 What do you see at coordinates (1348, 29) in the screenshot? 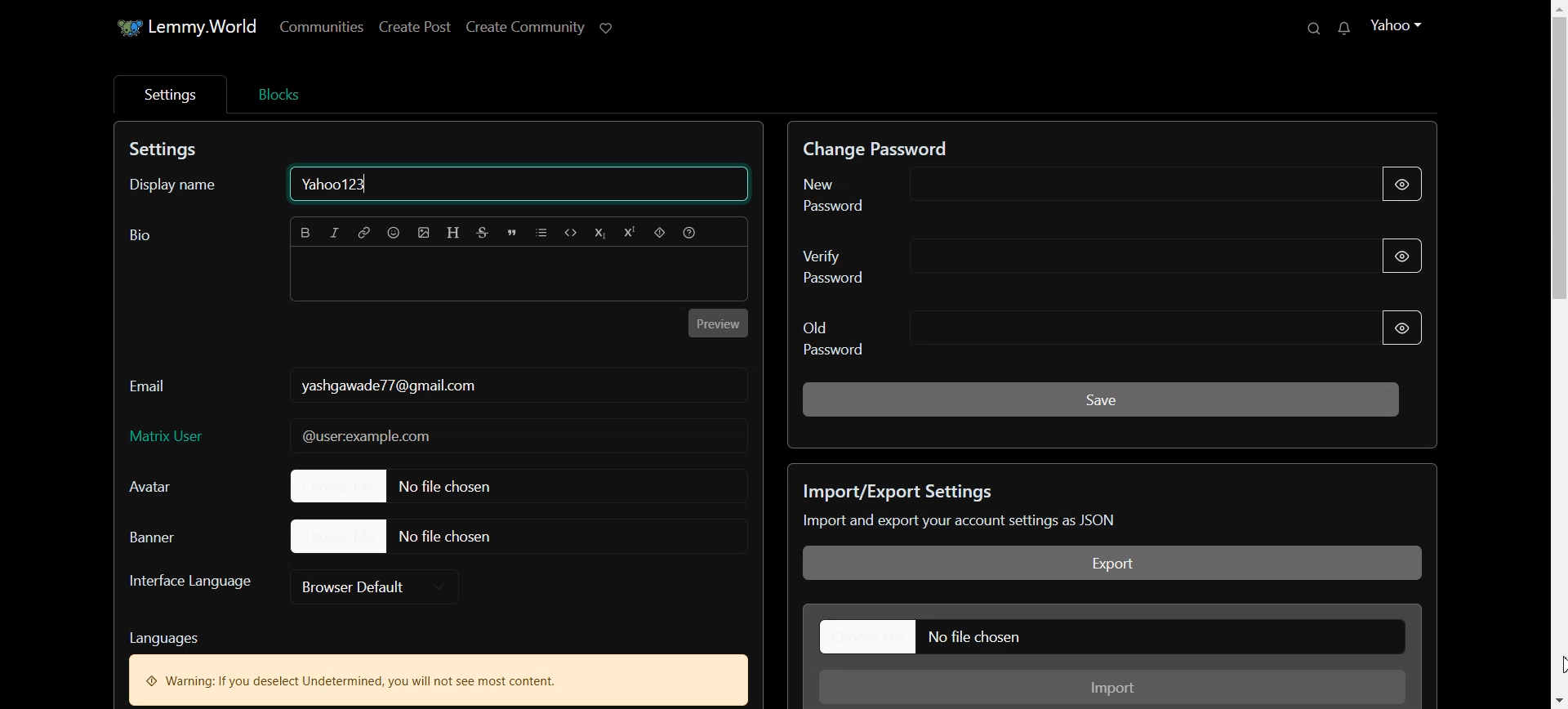
I see `` at bounding box center [1348, 29].